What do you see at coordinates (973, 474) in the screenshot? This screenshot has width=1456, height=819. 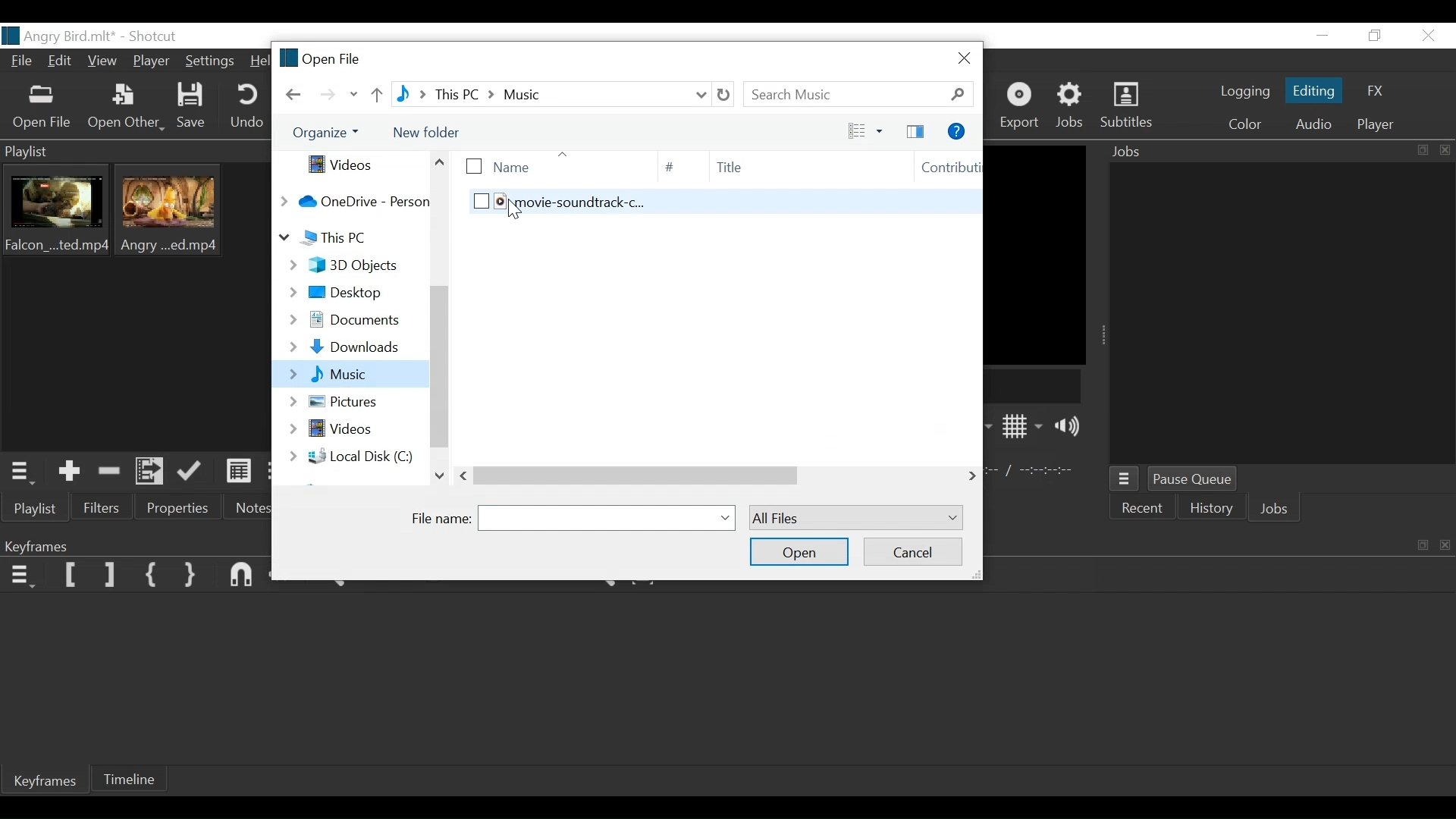 I see `Scroll right` at bounding box center [973, 474].